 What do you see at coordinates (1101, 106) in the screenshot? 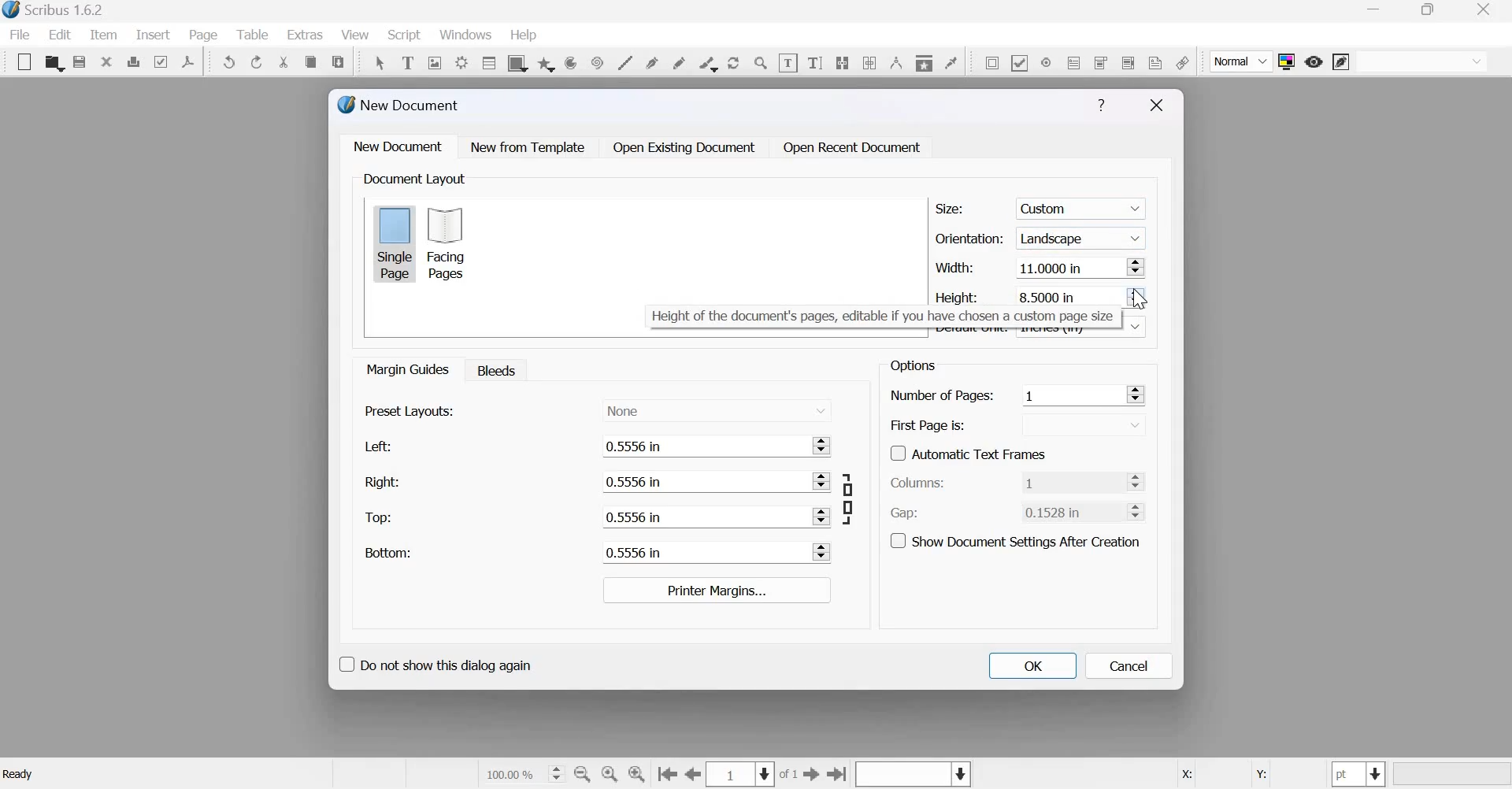
I see `Help` at bounding box center [1101, 106].